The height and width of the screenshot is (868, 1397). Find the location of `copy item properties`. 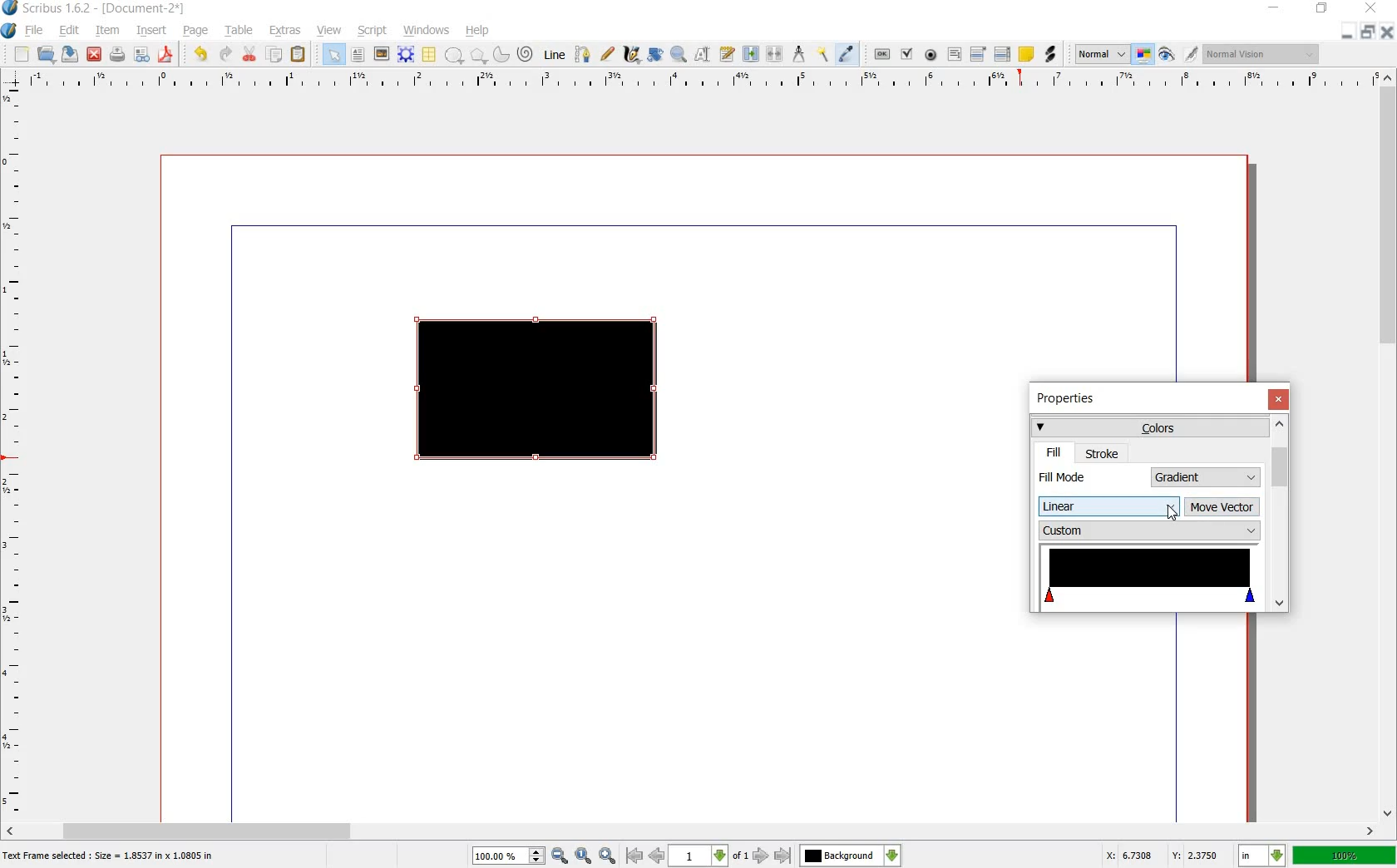

copy item properties is located at coordinates (824, 53).